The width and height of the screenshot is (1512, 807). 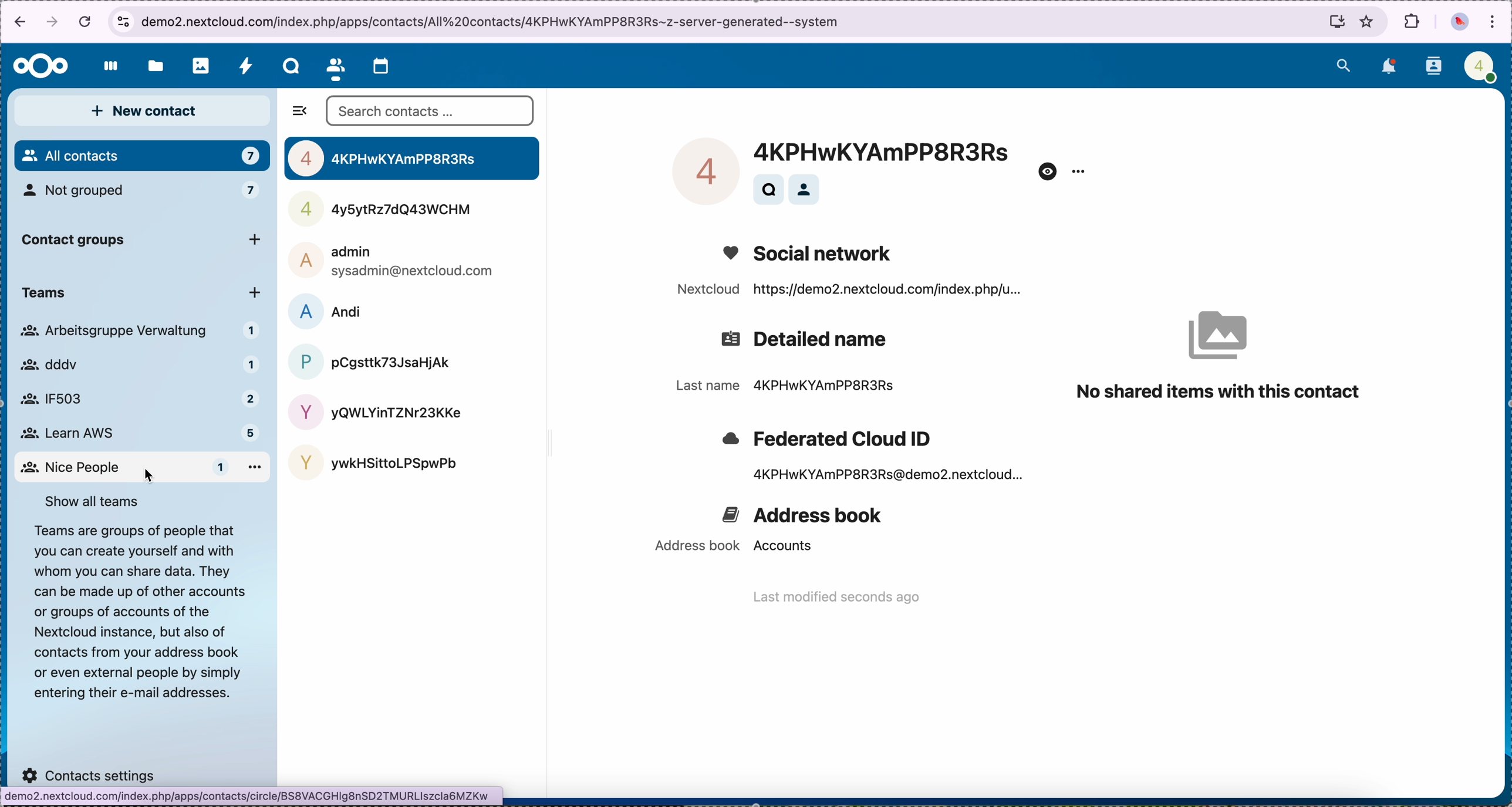 What do you see at coordinates (493, 21) in the screenshot?
I see `URL` at bounding box center [493, 21].